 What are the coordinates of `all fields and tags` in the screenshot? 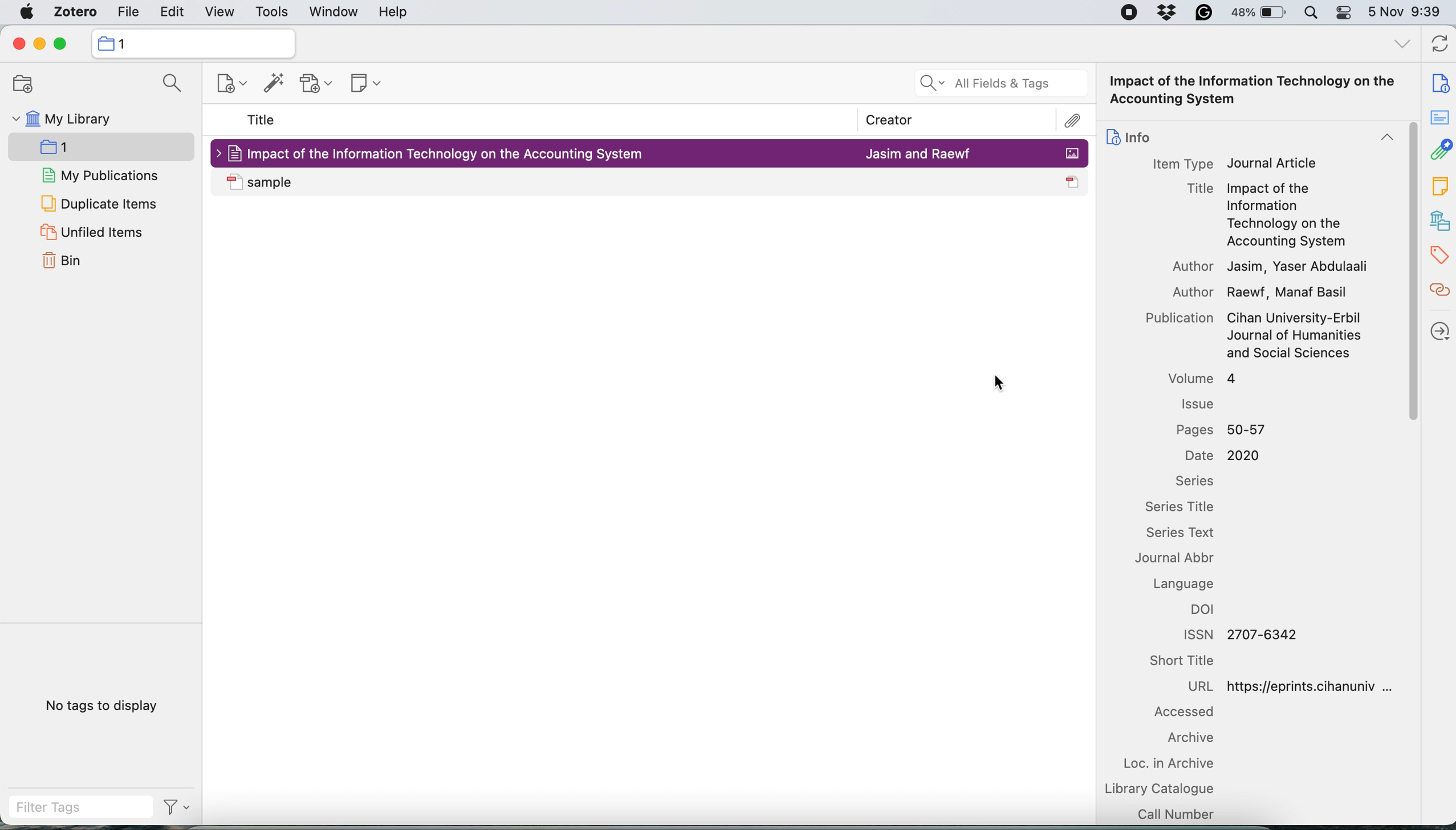 It's located at (1001, 83).